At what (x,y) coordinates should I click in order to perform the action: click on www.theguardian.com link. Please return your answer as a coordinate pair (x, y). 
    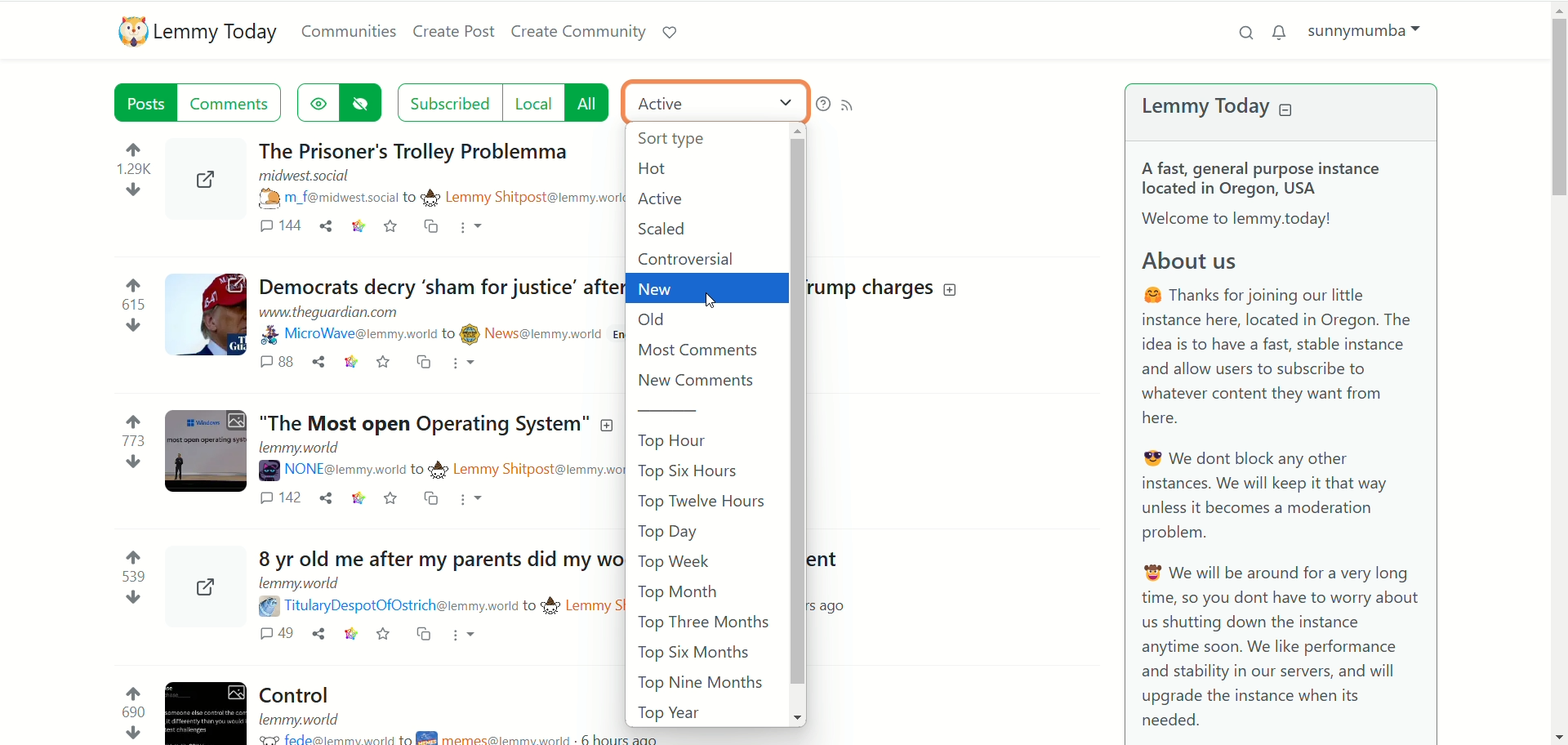
    Looking at the image, I should click on (345, 315).